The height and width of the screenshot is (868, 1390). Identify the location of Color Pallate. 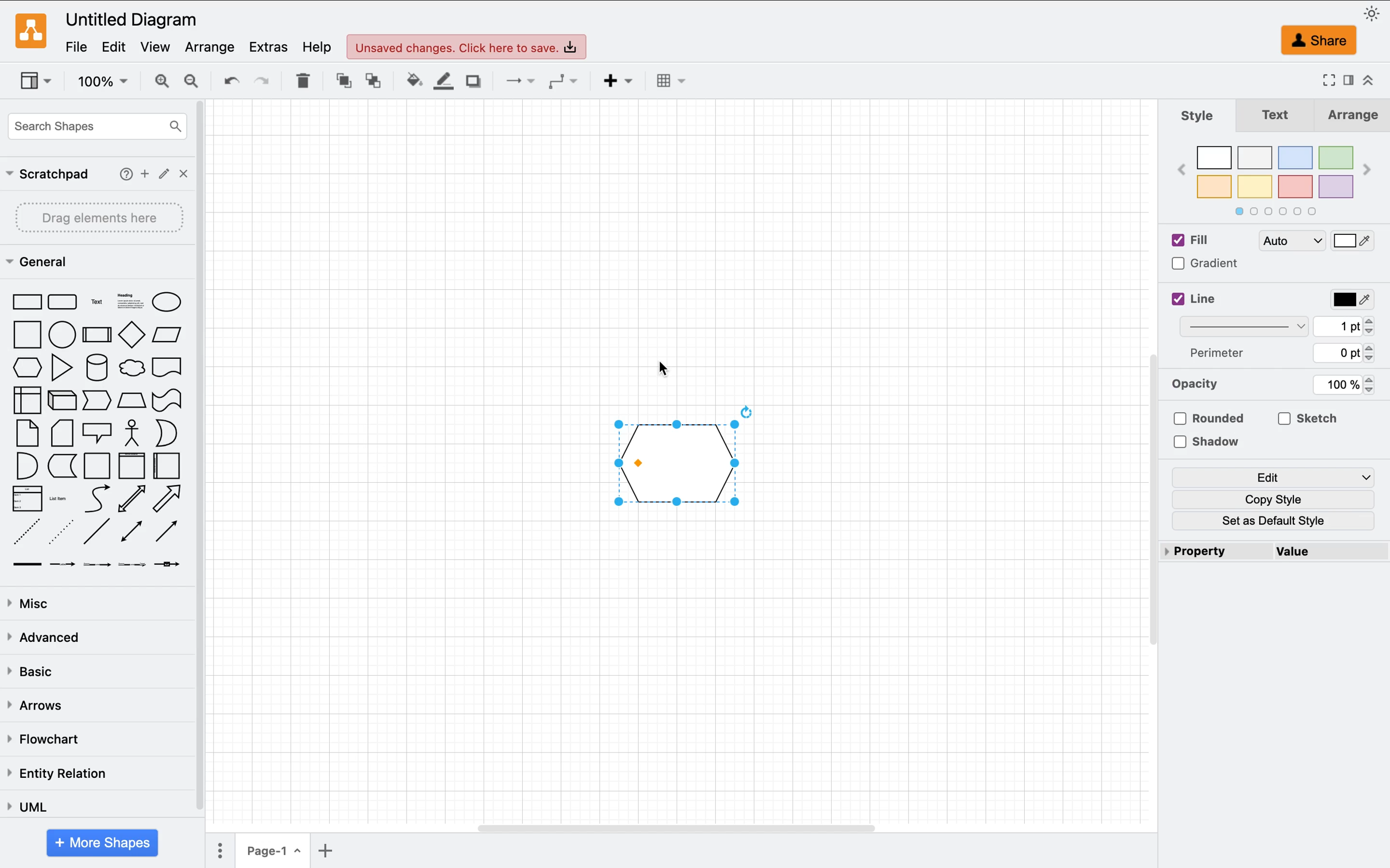
(1277, 169).